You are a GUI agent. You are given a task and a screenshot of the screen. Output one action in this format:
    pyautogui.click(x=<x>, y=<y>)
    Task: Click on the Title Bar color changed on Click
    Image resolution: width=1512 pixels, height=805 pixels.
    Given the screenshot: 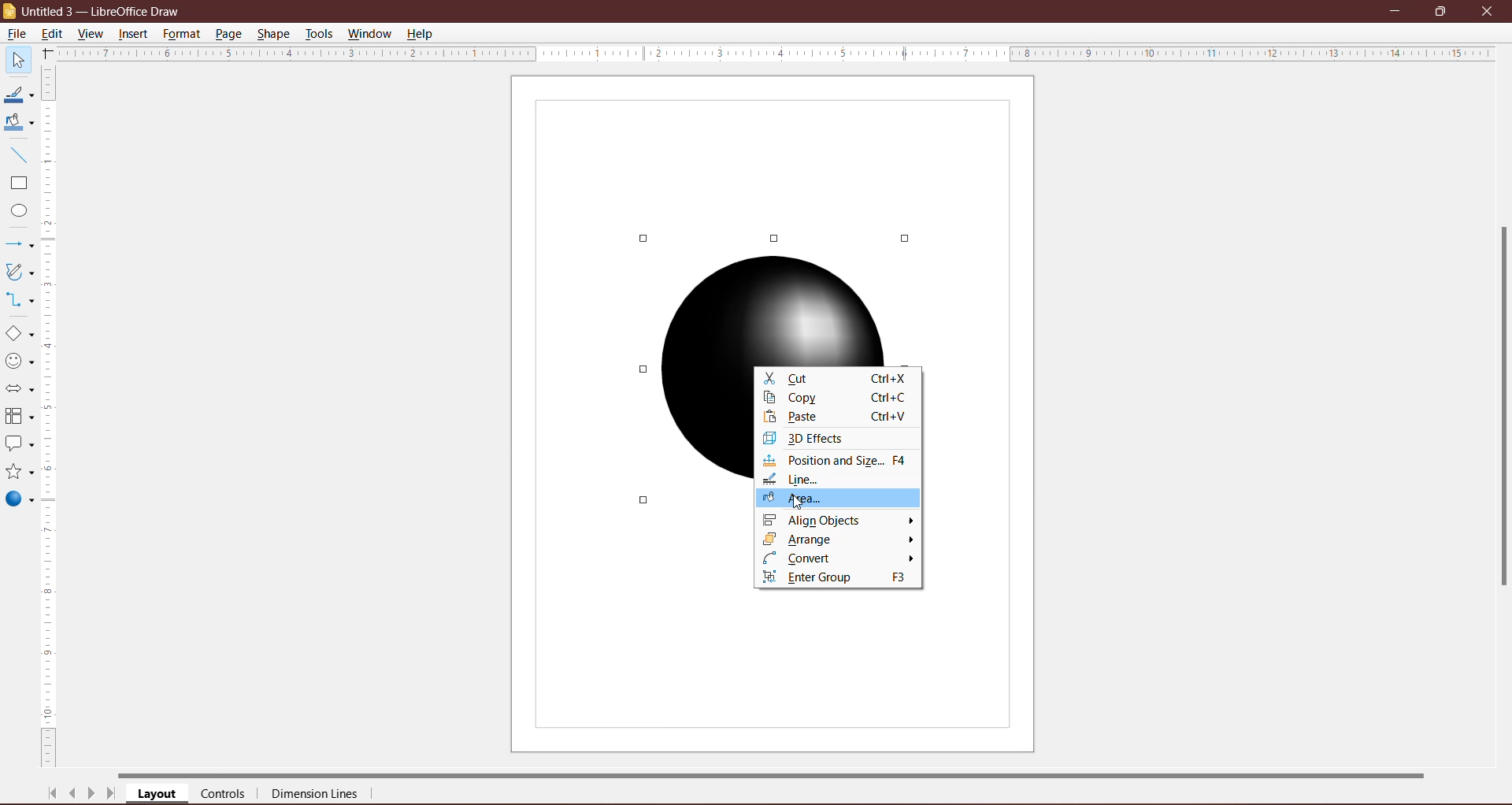 What is the action you would take?
    pyautogui.click(x=776, y=10)
    